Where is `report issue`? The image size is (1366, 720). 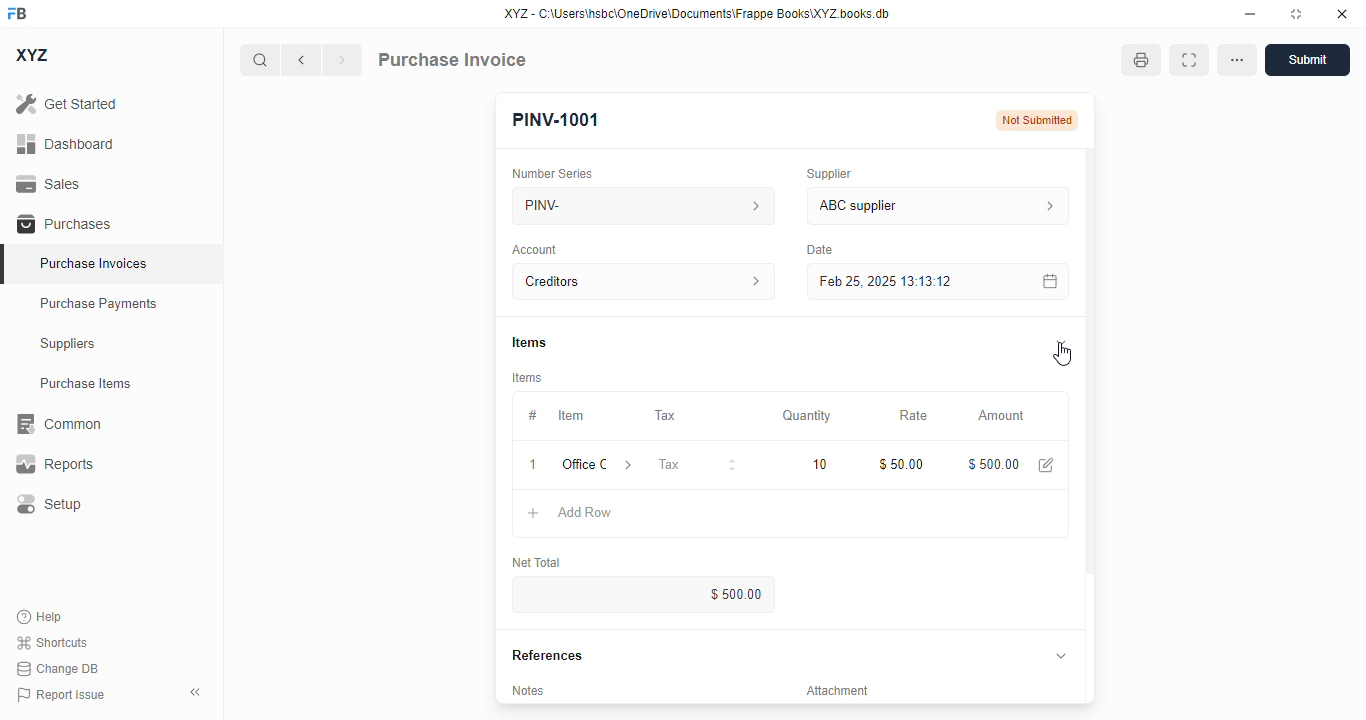 report issue is located at coordinates (60, 695).